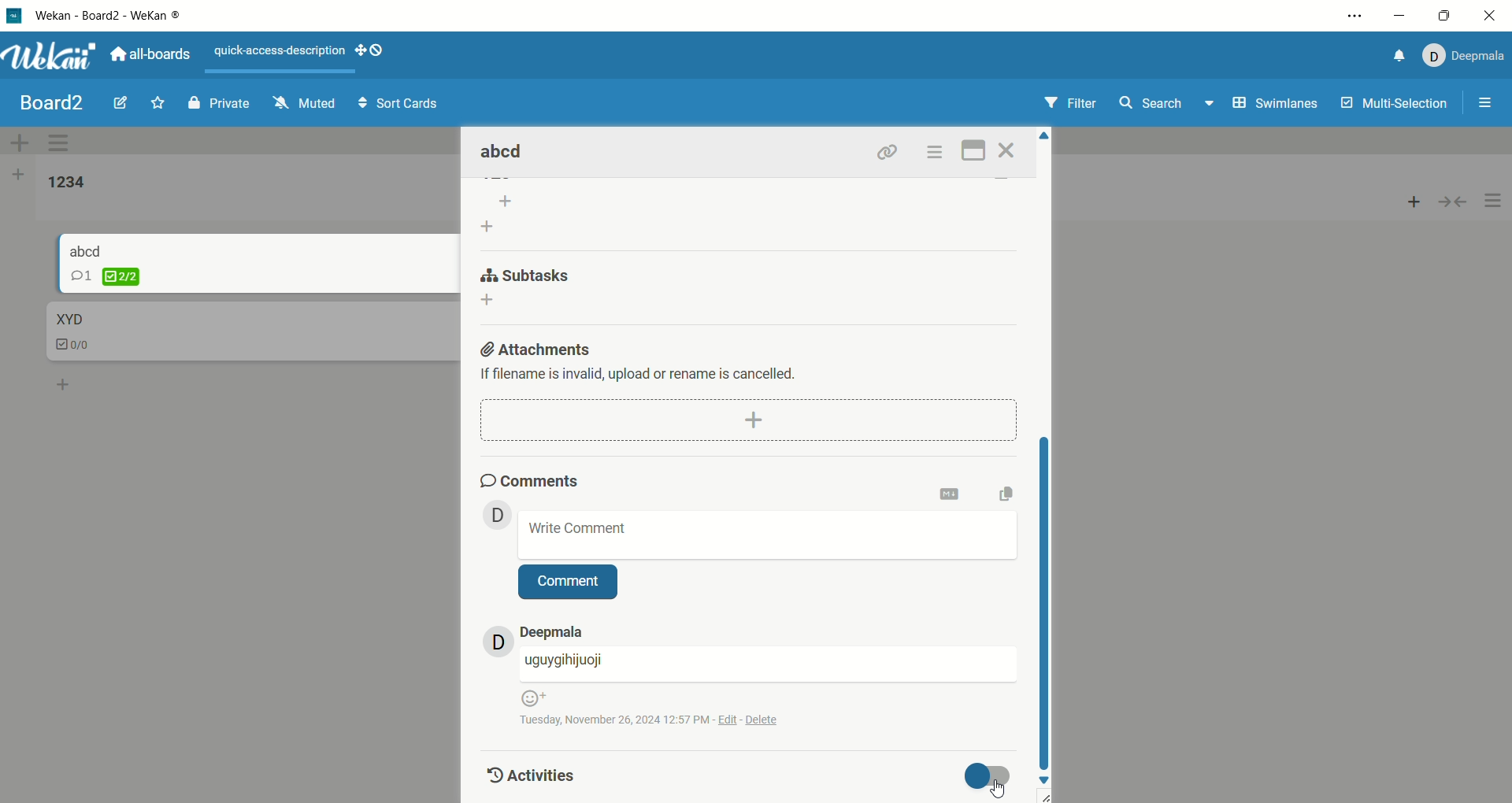 Image resolution: width=1512 pixels, height=803 pixels. I want to click on add, so click(65, 382).